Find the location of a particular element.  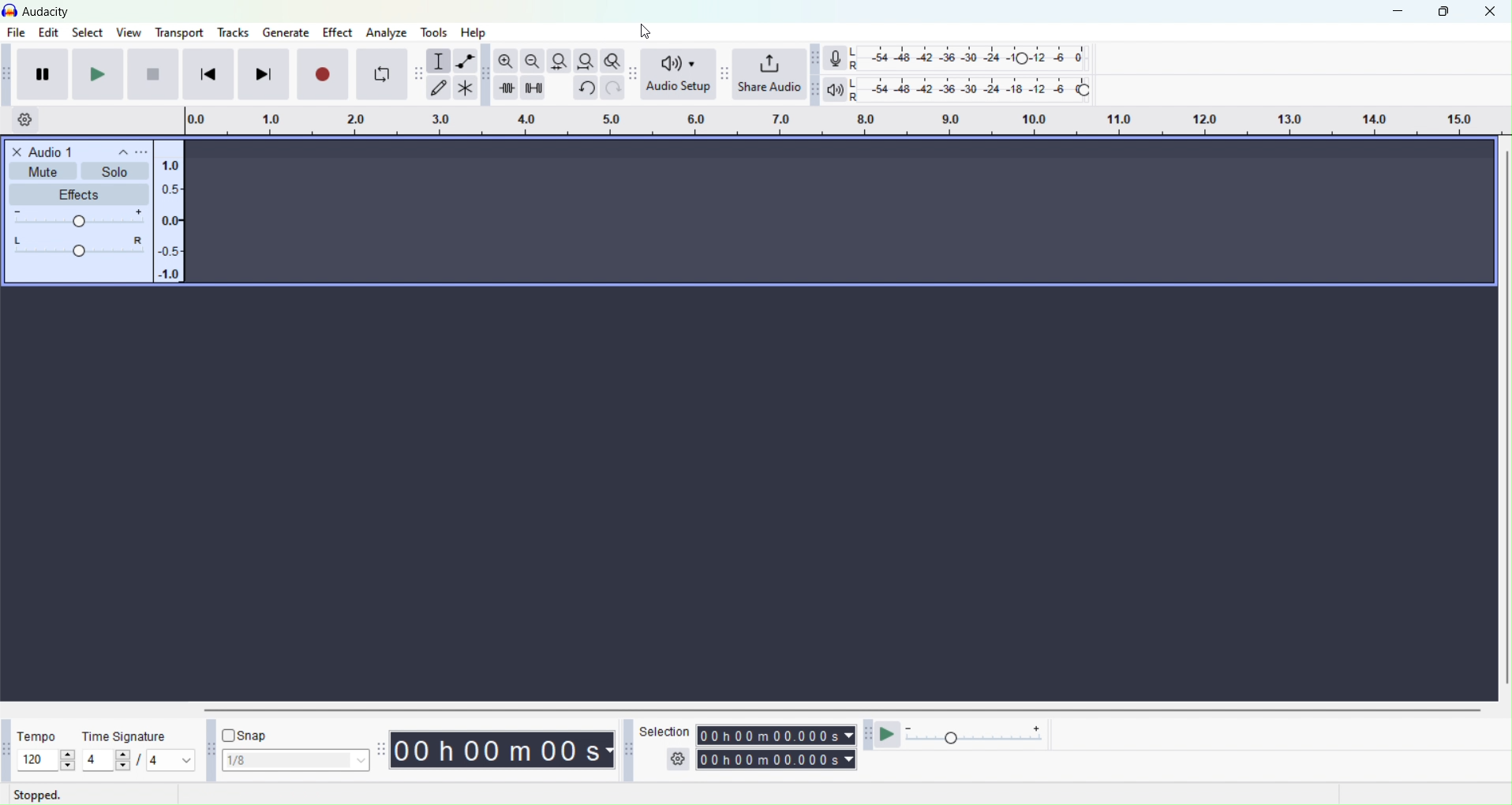

Undo is located at coordinates (587, 87).